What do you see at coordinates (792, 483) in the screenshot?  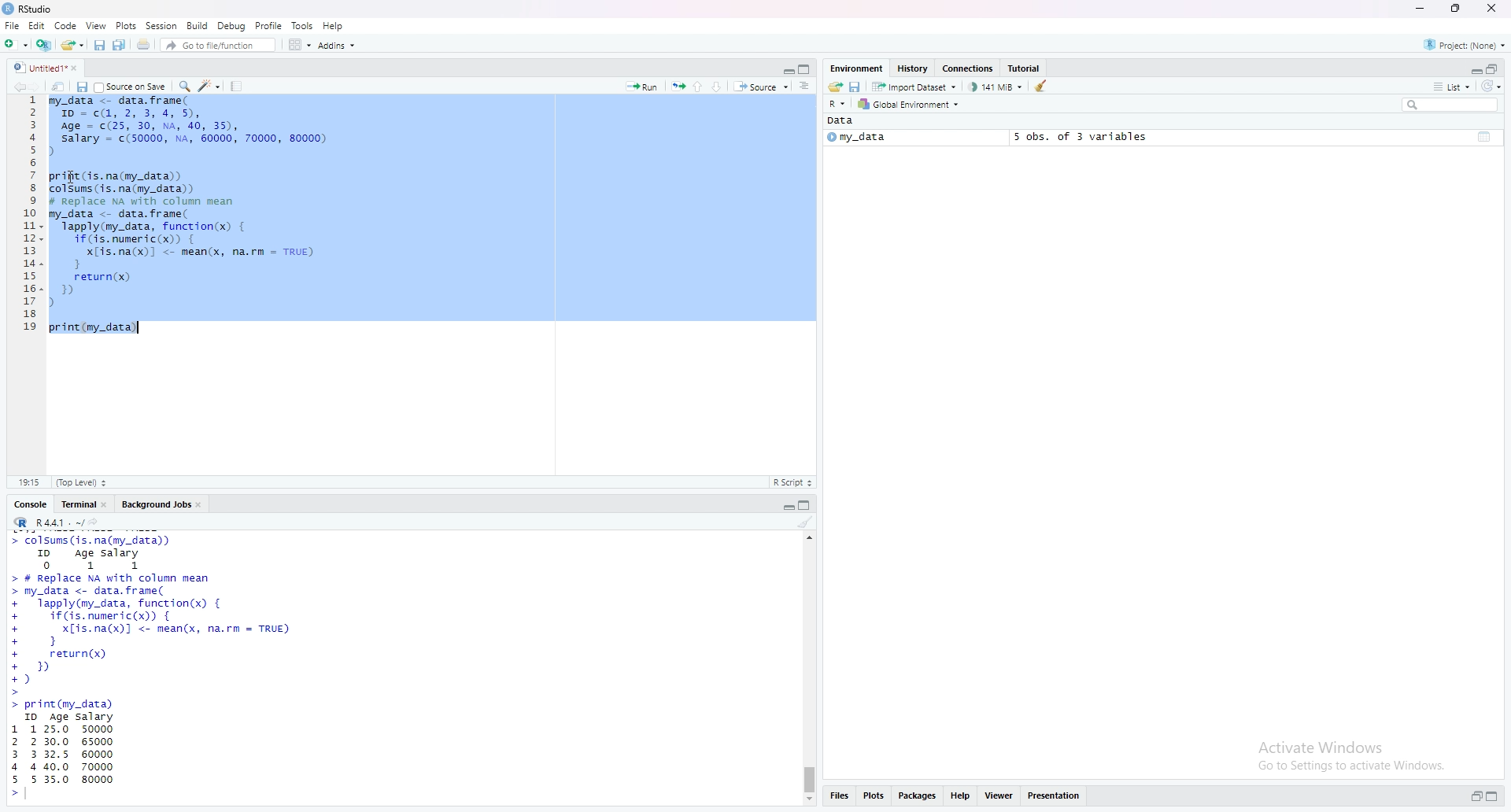 I see `R Script ` at bounding box center [792, 483].